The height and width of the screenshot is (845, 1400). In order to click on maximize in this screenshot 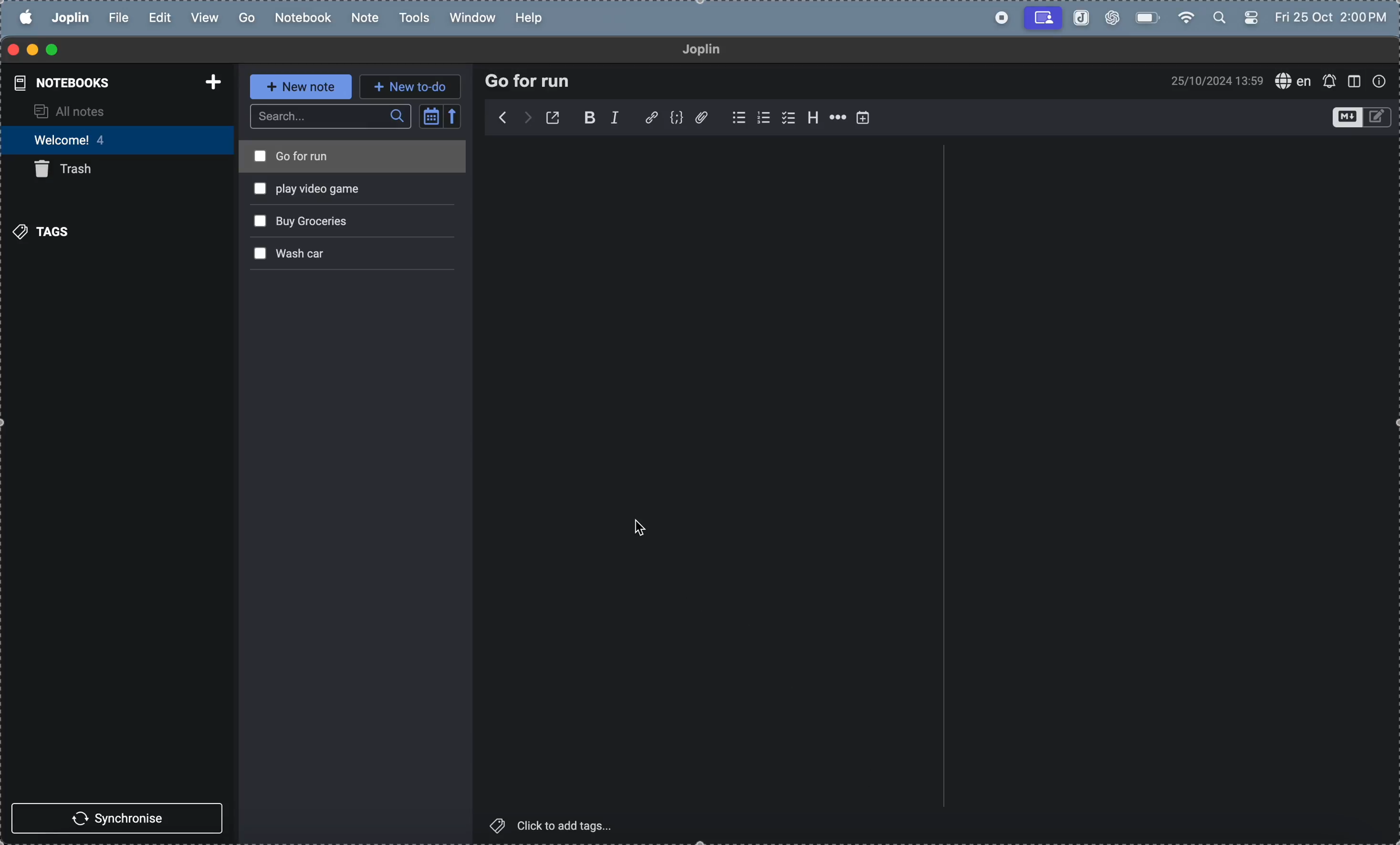, I will do `click(59, 49)`.